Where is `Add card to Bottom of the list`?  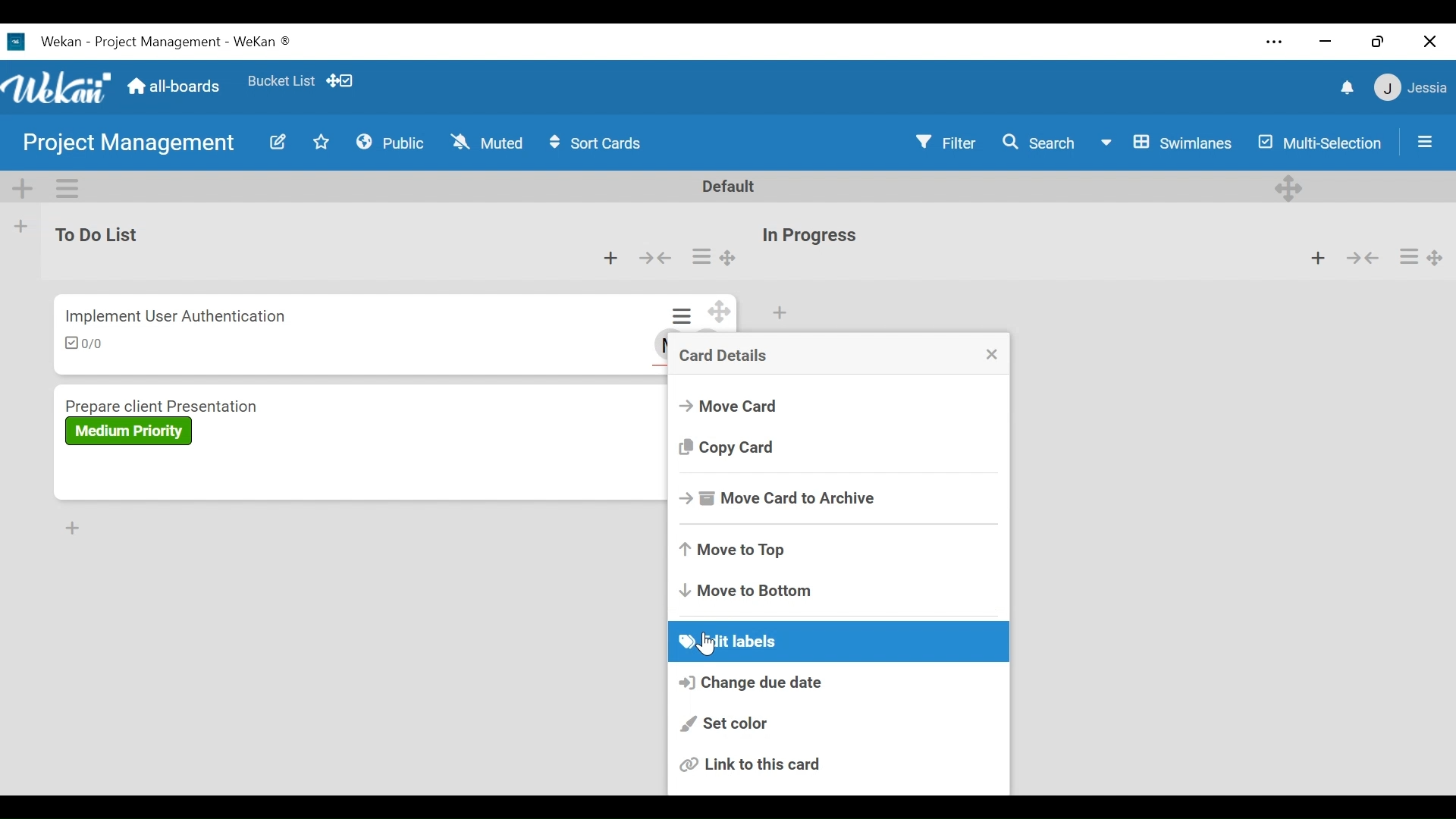 Add card to Bottom of the list is located at coordinates (71, 528).